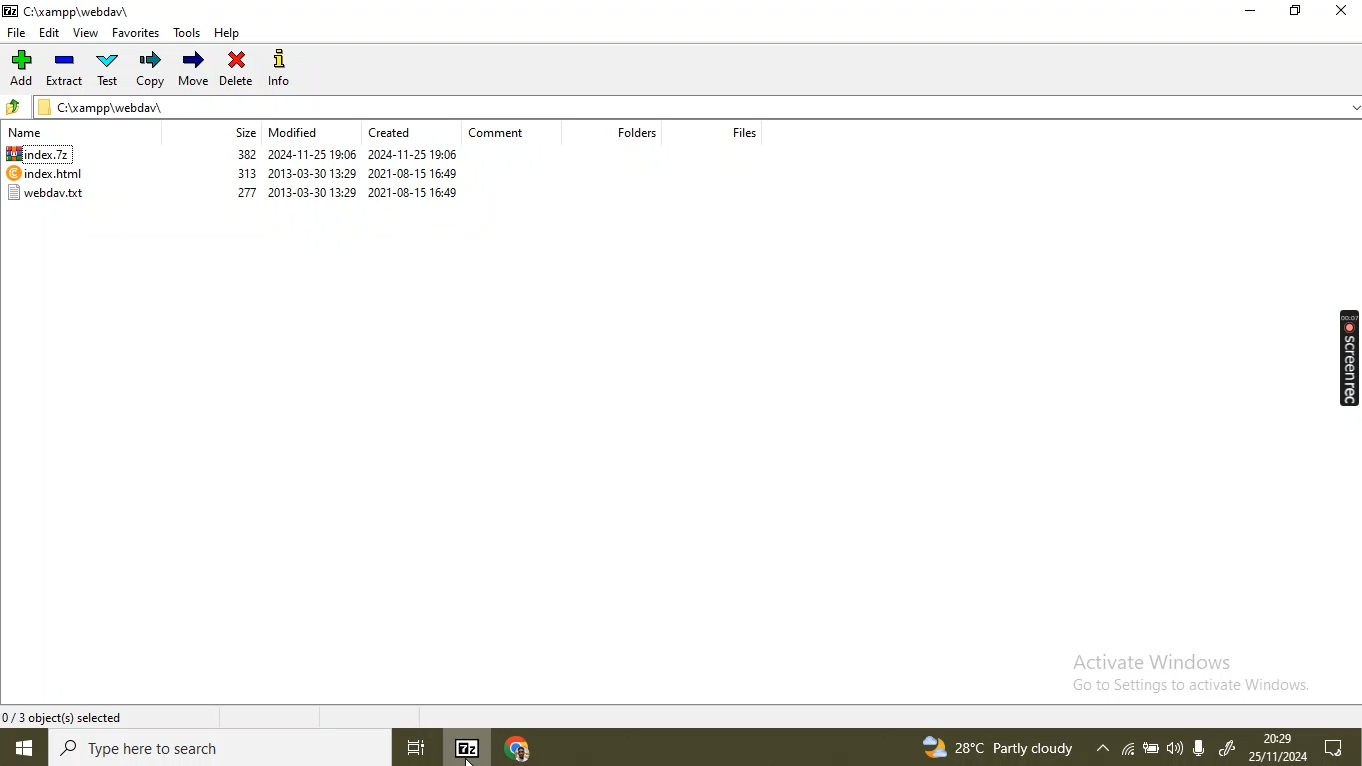 The height and width of the screenshot is (766, 1362). Describe the element at coordinates (1103, 749) in the screenshot. I see `show hidden icon` at that location.